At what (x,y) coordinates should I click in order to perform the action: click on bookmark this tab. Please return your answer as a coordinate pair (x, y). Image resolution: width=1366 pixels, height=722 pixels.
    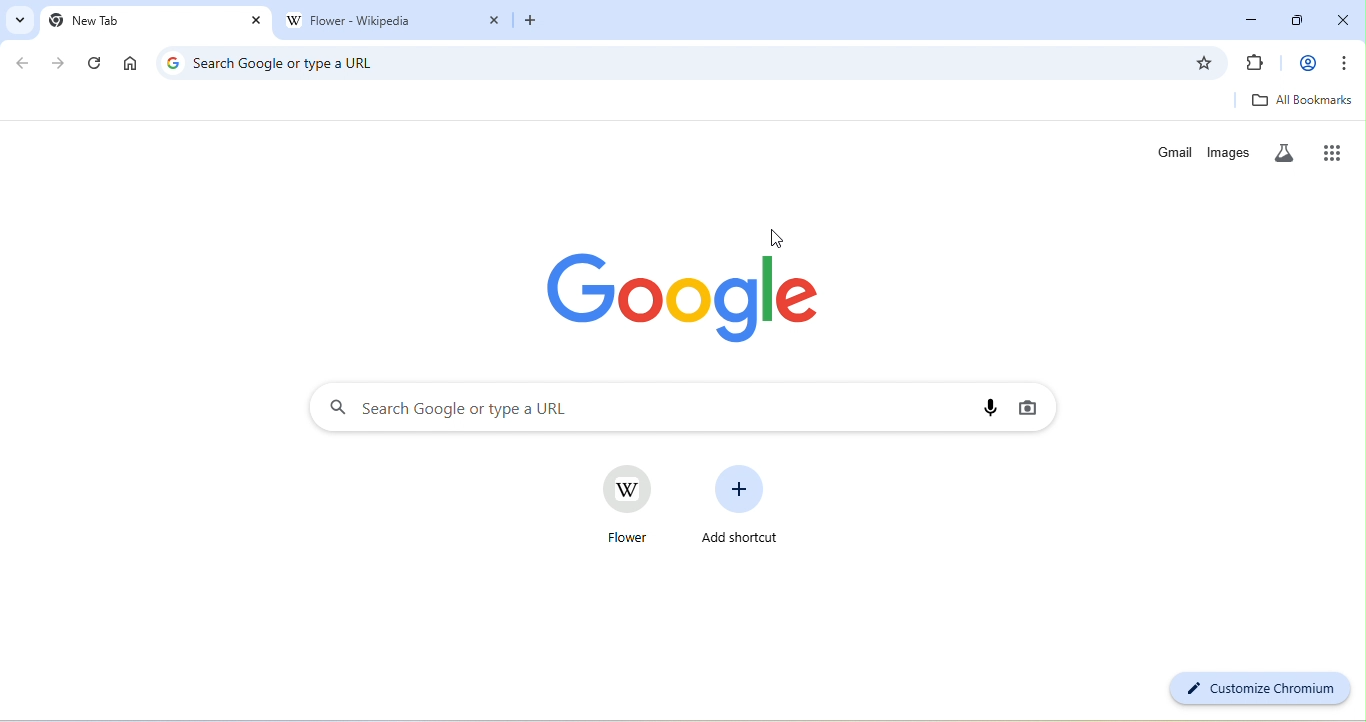
    Looking at the image, I should click on (1204, 63).